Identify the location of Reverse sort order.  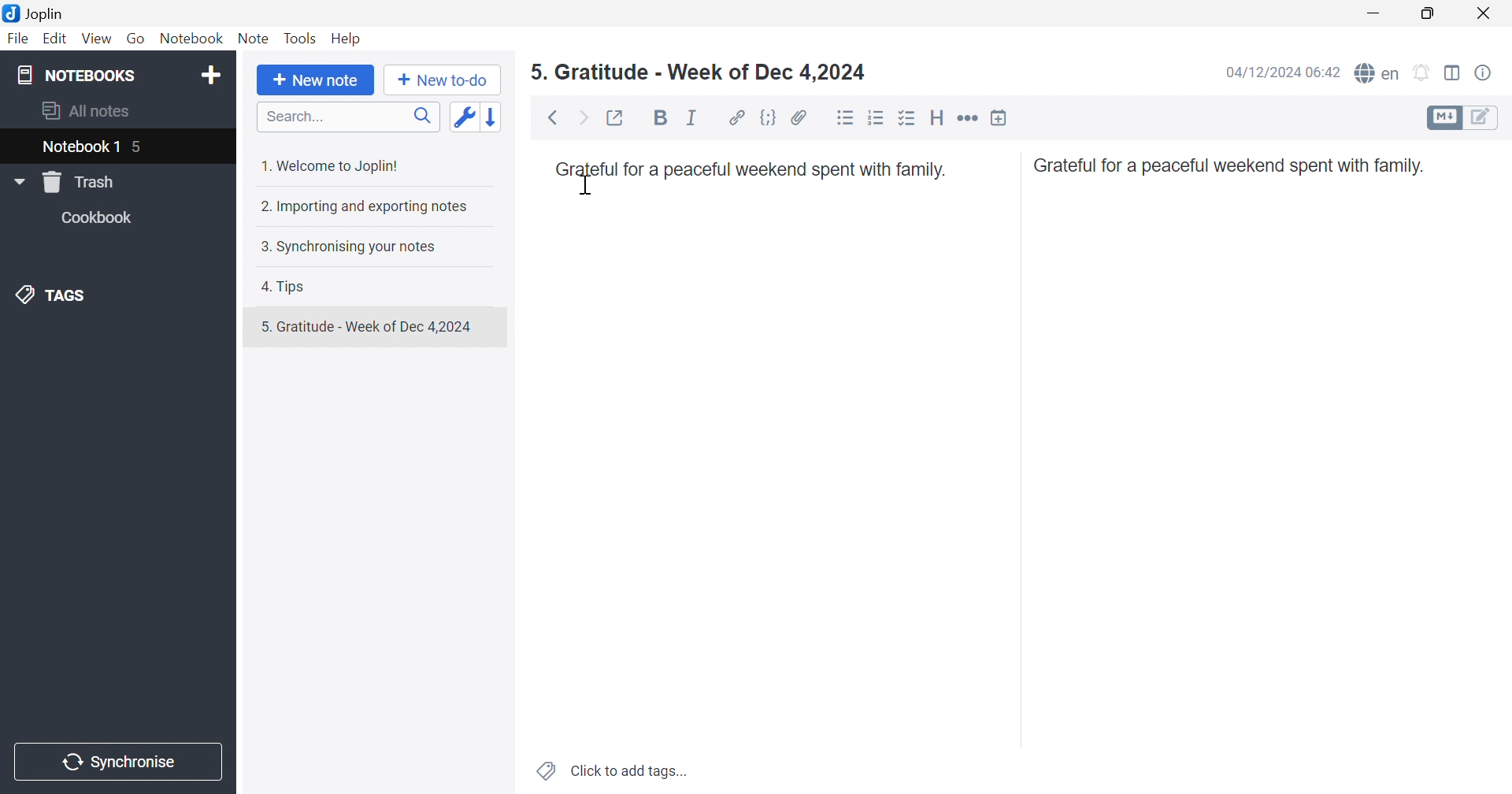
(495, 117).